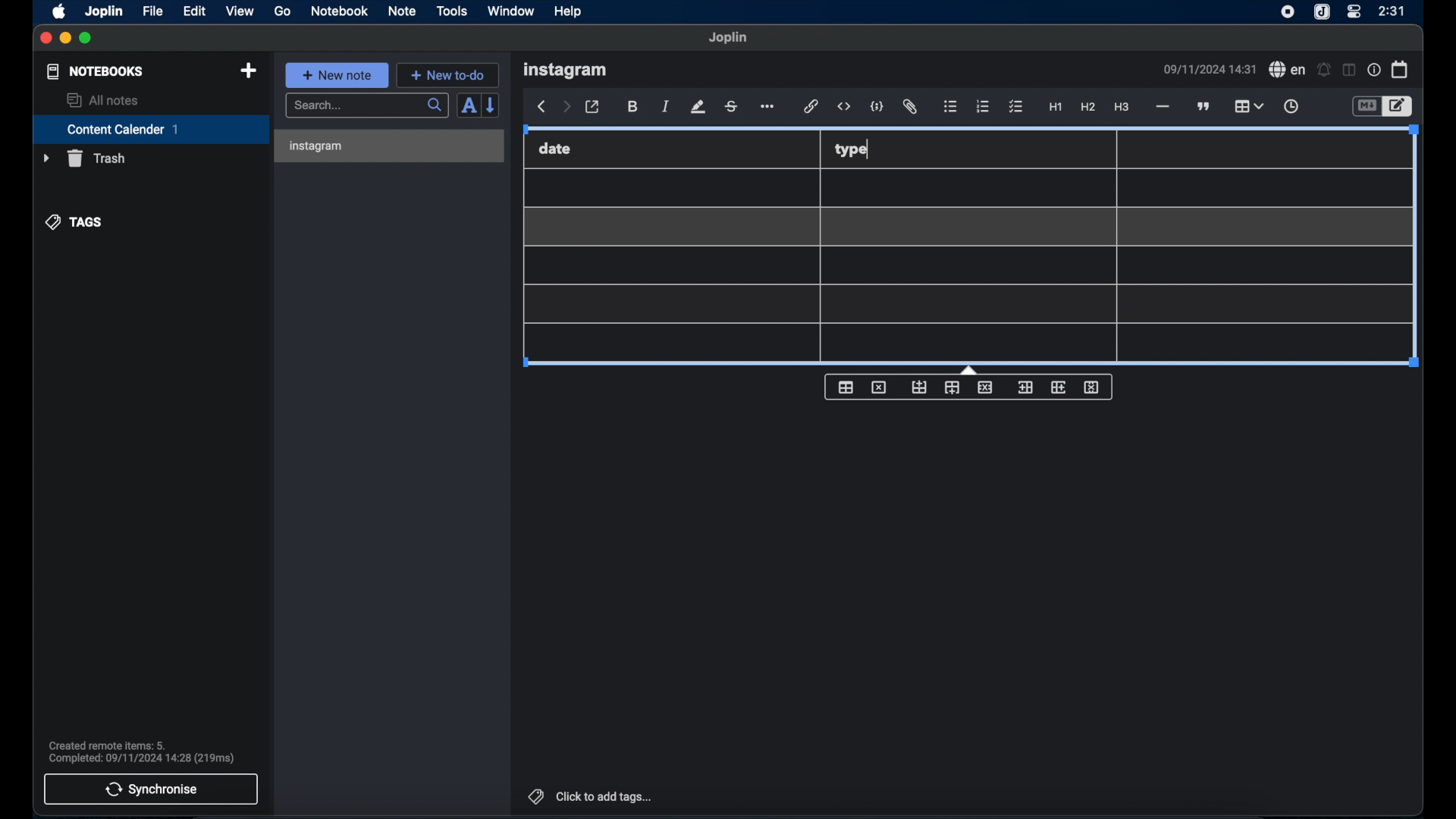 The image size is (1456, 819). I want to click on maximize, so click(86, 39).